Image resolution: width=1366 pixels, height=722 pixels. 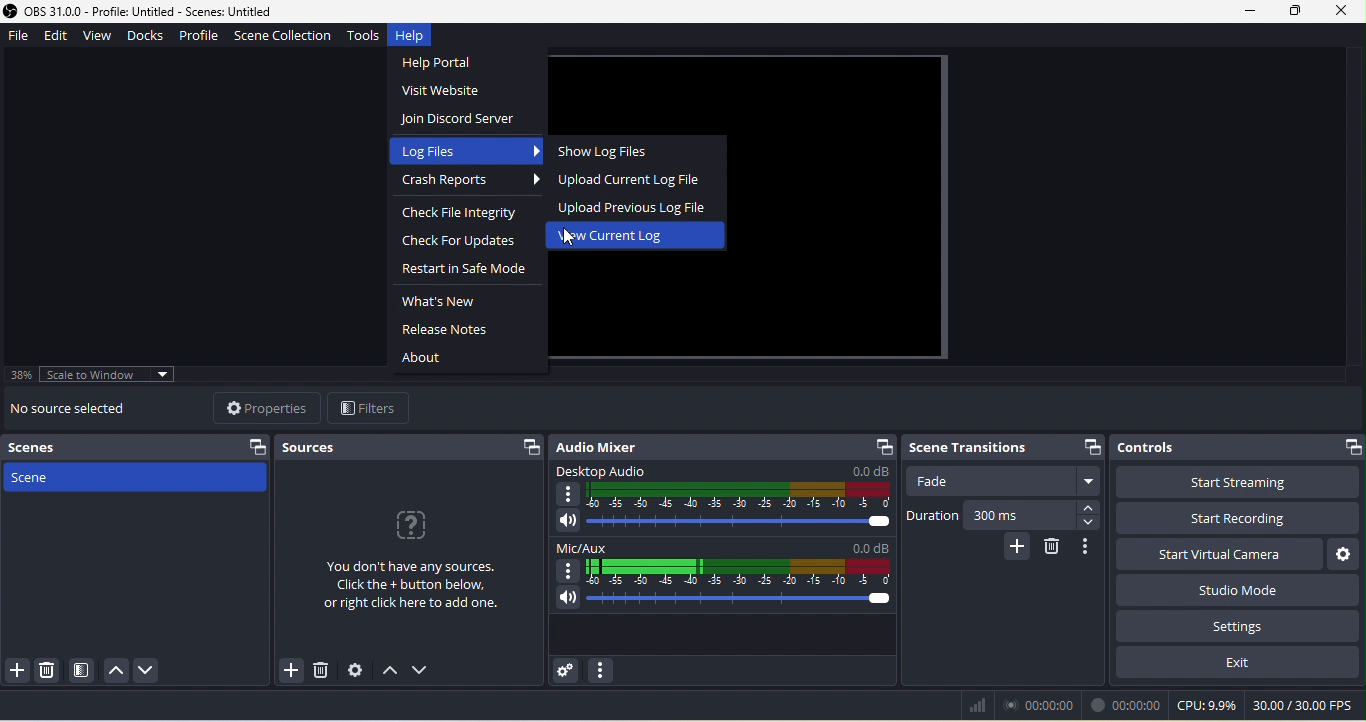 What do you see at coordinates (1039, 518) in the screenshot?
I see `300 ms` at bounding box center [1039, 518].